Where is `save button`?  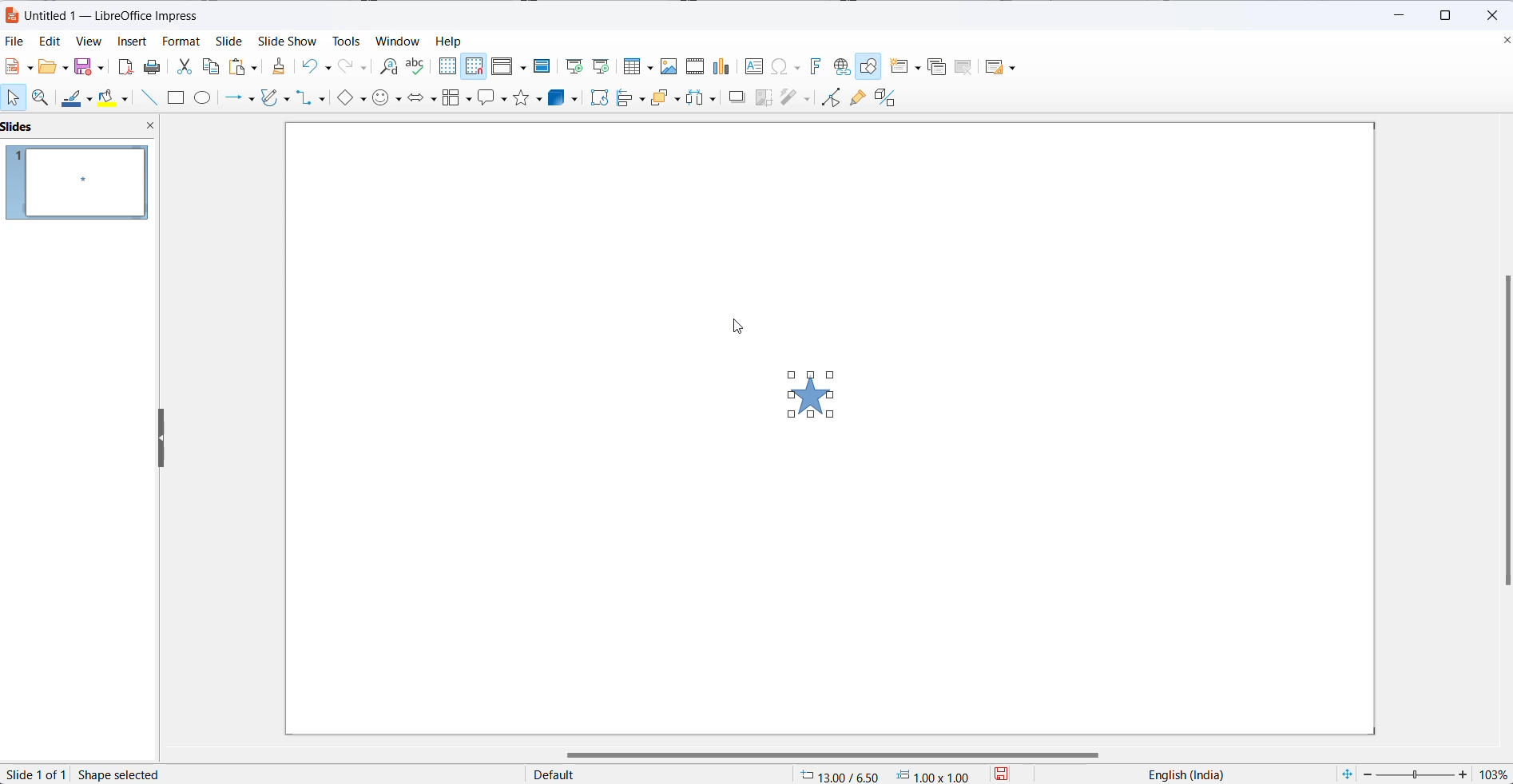
save button is located at coordinates (1011, 774).